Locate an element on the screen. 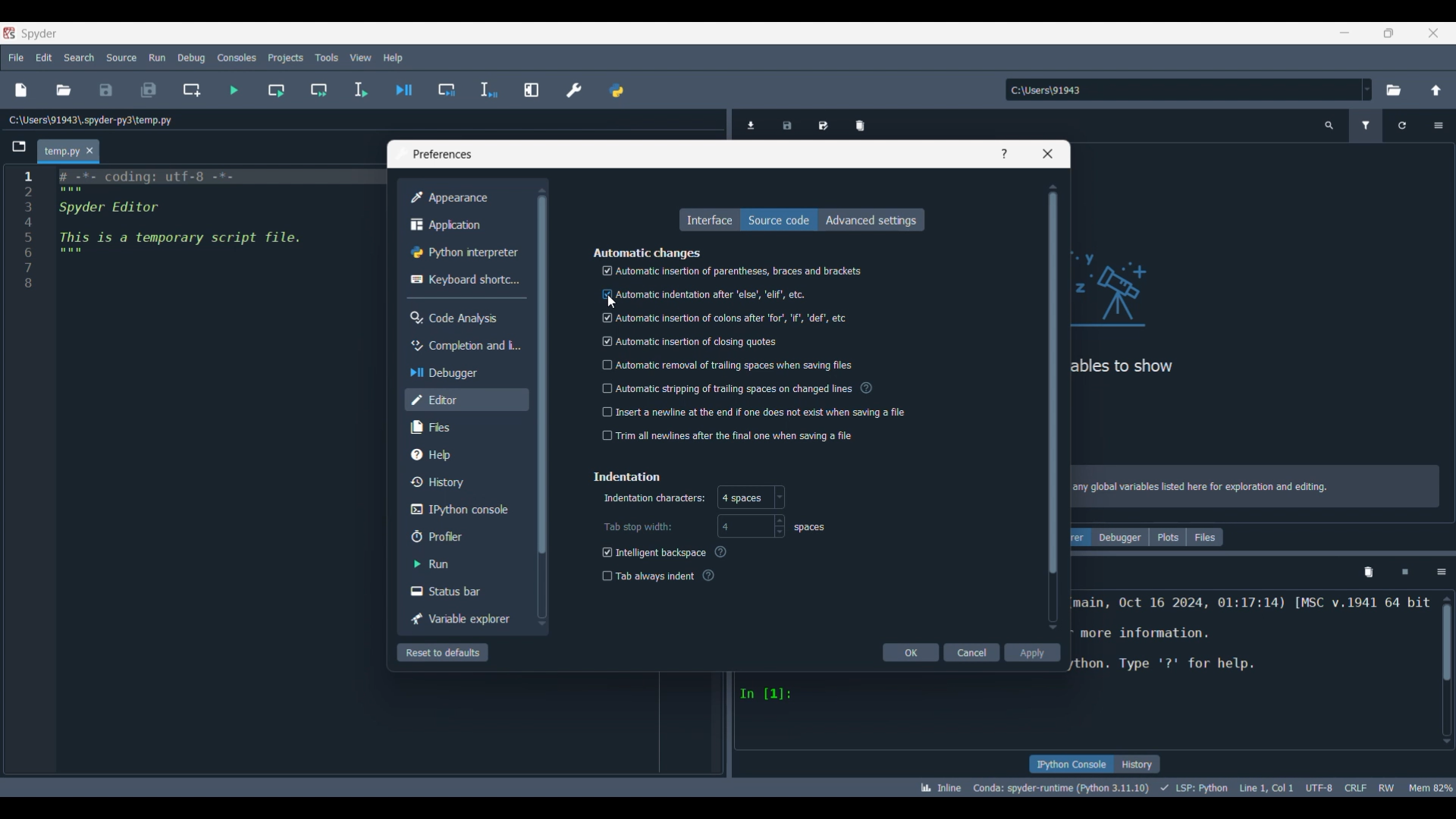  View menu is located at coordinates (362, 58).